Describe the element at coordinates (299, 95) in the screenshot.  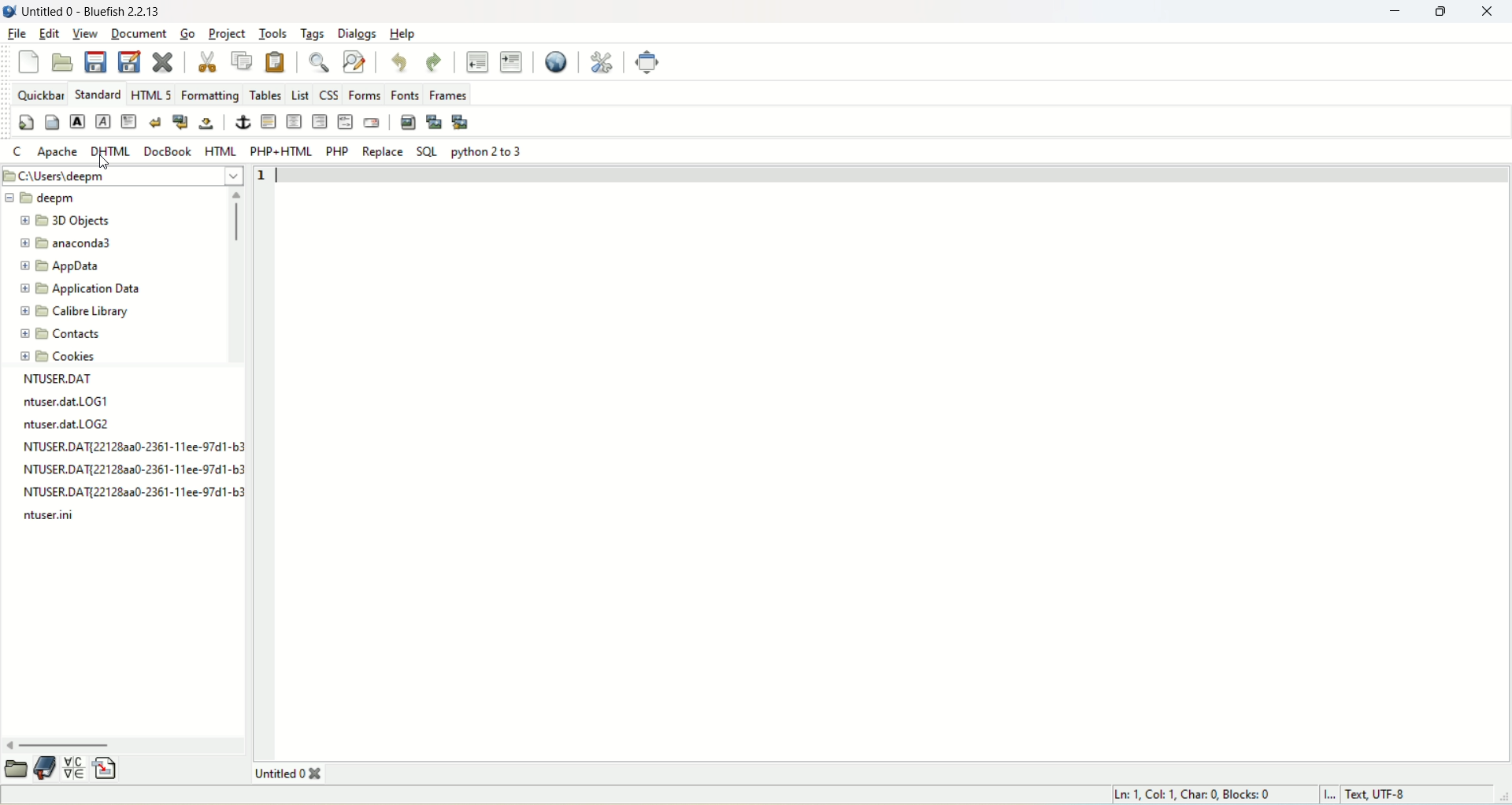
I see `list` at that location.